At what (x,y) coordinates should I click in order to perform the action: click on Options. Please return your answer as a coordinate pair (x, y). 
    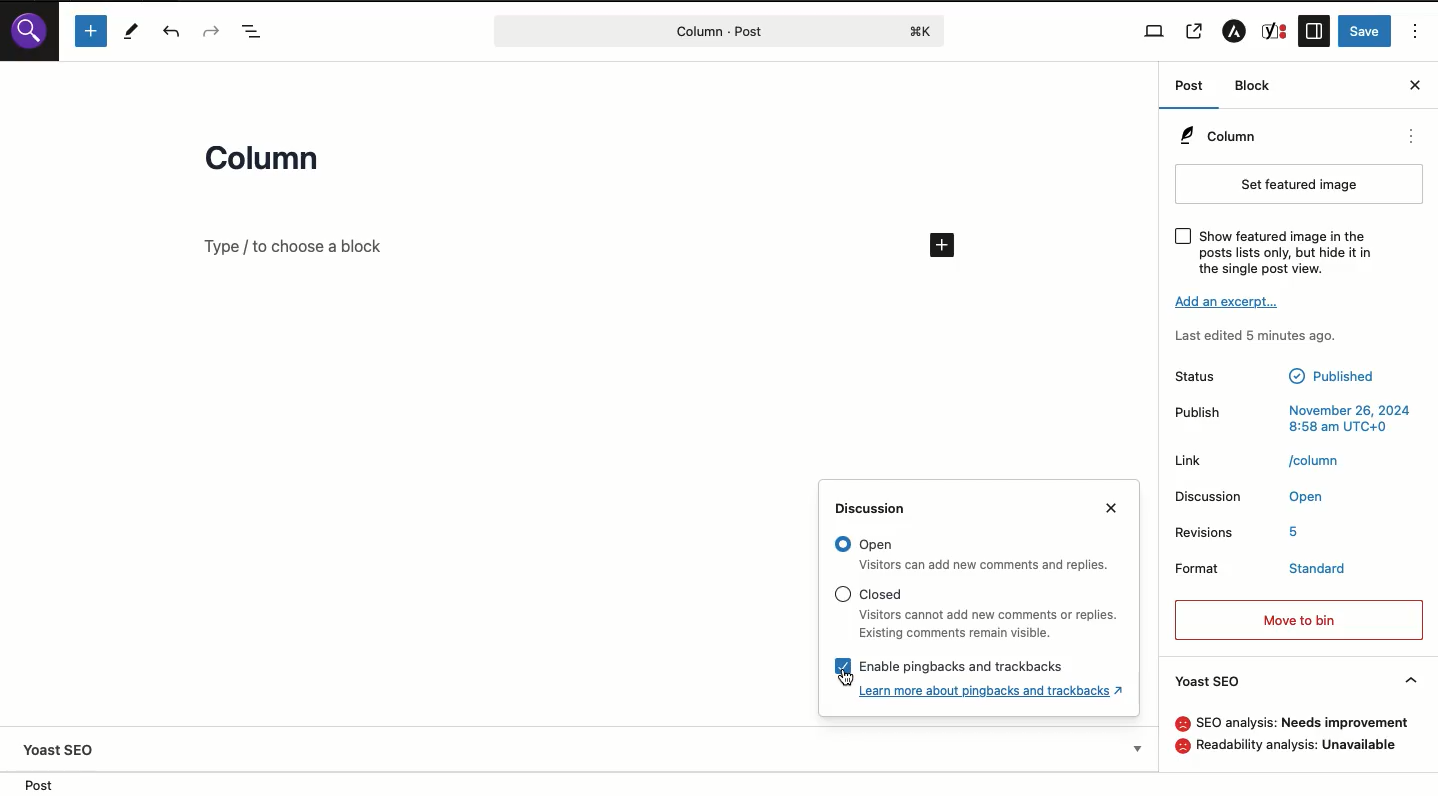
    Looking at the image, I should click on (1418, 32).